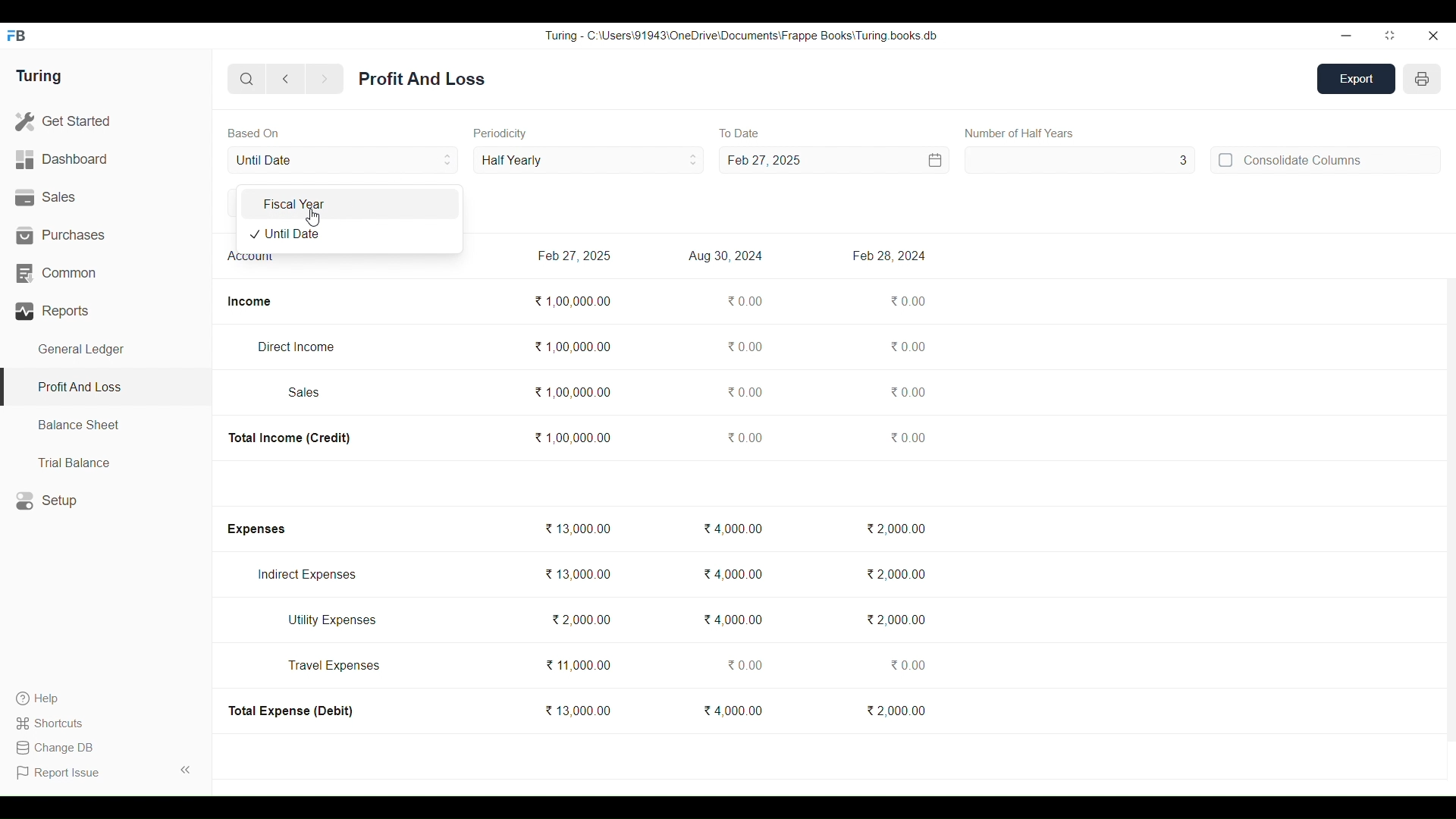 This screenshot has width=1456, height=819. What do you see at coordinates (251, 259) in the screenshot?
I see `Account` at bounding box center [251, 259].